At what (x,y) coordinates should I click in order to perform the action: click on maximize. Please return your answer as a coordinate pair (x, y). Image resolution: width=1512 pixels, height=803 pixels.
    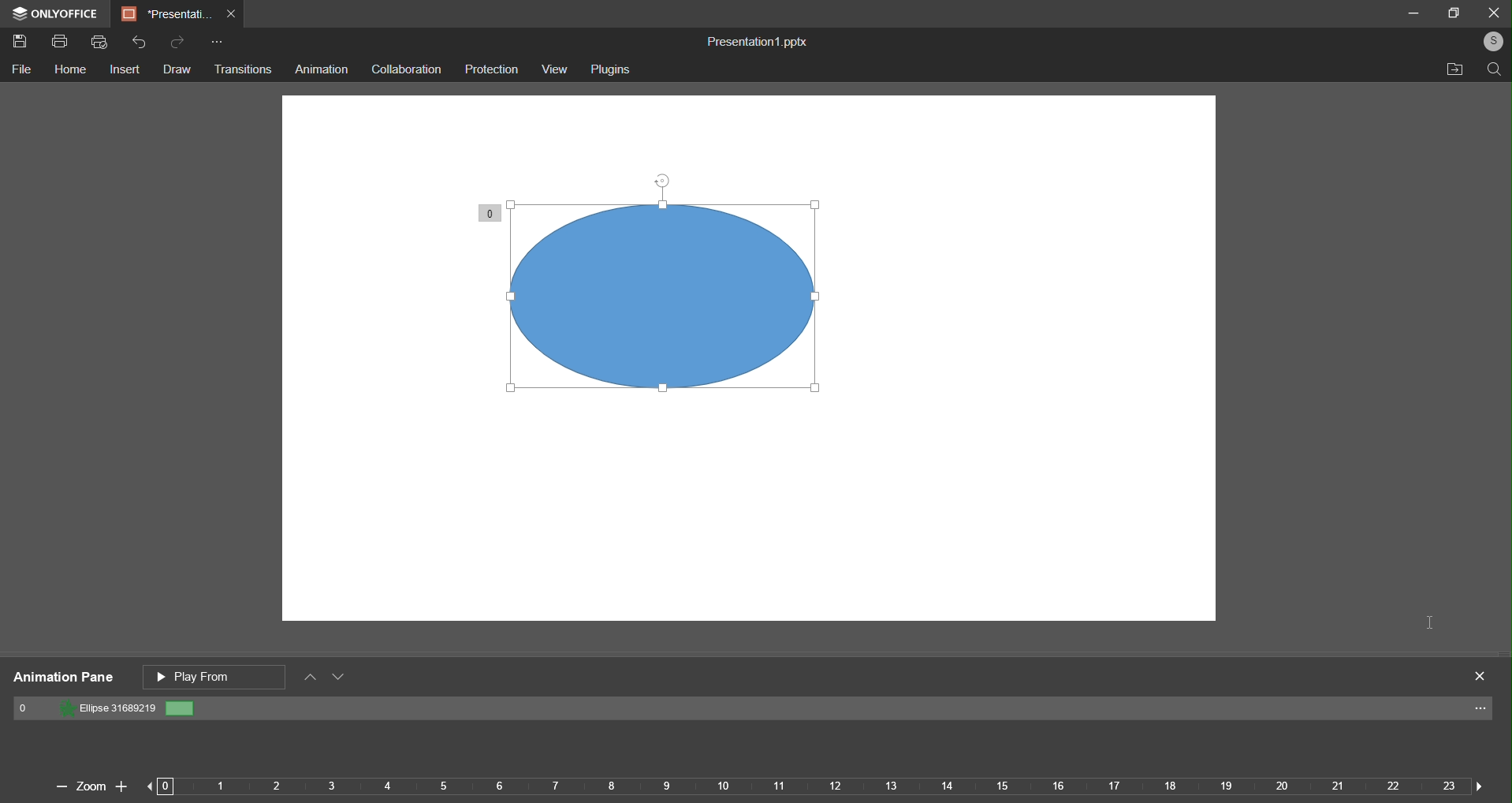
    Looking at the image, I should click on (1456, 13).